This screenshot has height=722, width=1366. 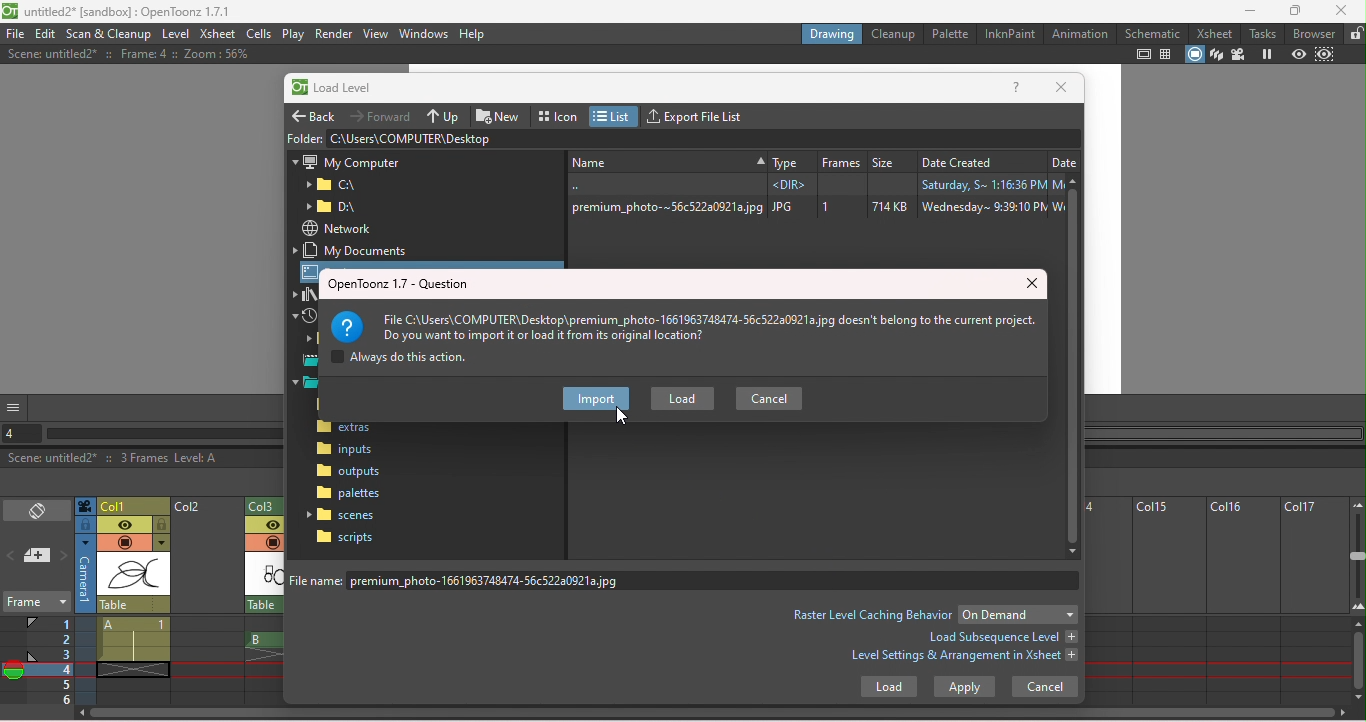 What do you see at coordinates (38, 512) in the screenshot?
I see `Toggle Xsheet/Timeline` at bounding box center [38, 512].